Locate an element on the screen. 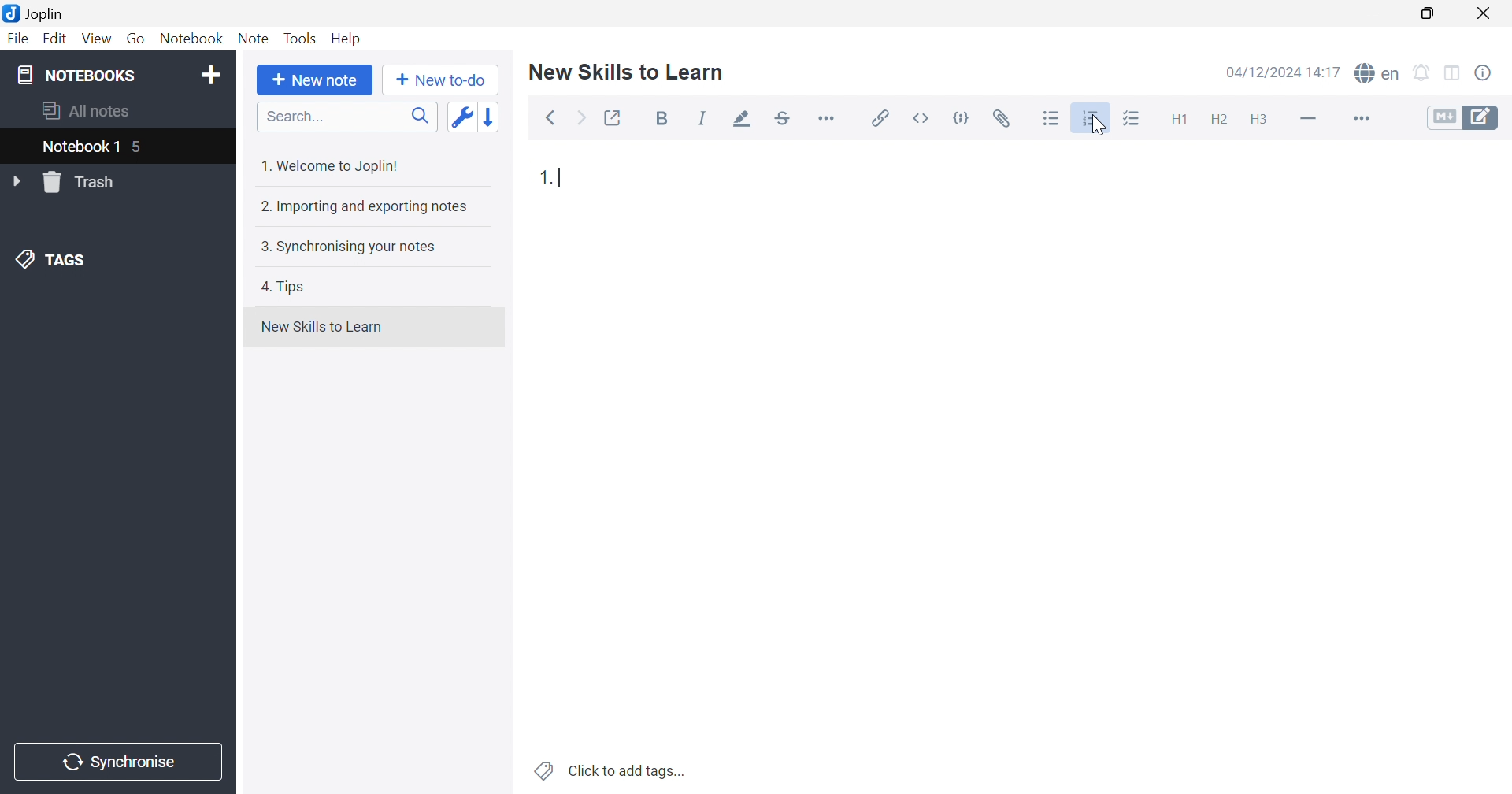 This screenshot has width=1512, height=794. Go is located at coordinates (135, 39).